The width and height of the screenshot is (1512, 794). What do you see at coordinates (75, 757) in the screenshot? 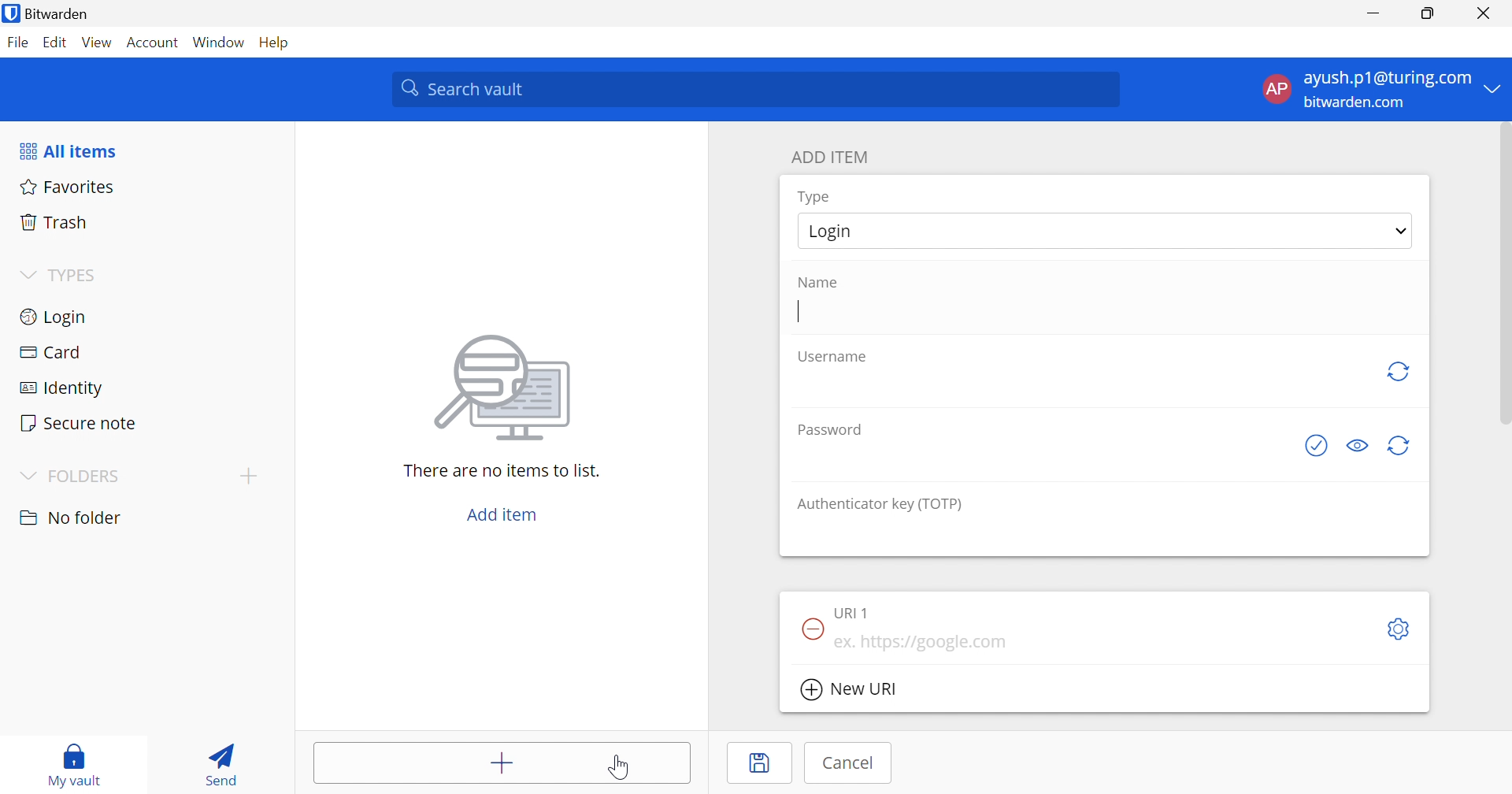
I see `My vault` at bounding box center [75, 757].